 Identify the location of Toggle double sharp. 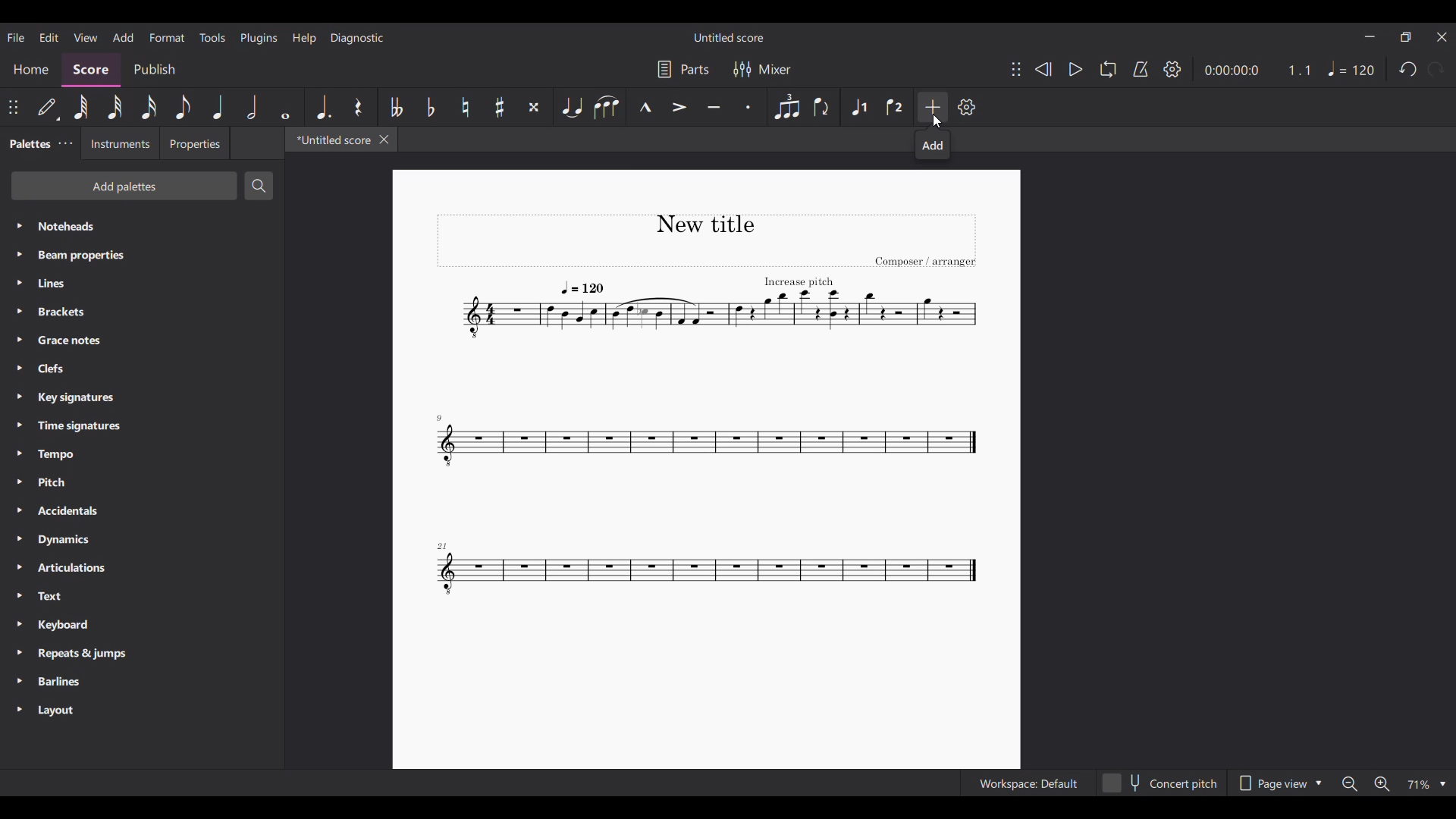
(533, 108).